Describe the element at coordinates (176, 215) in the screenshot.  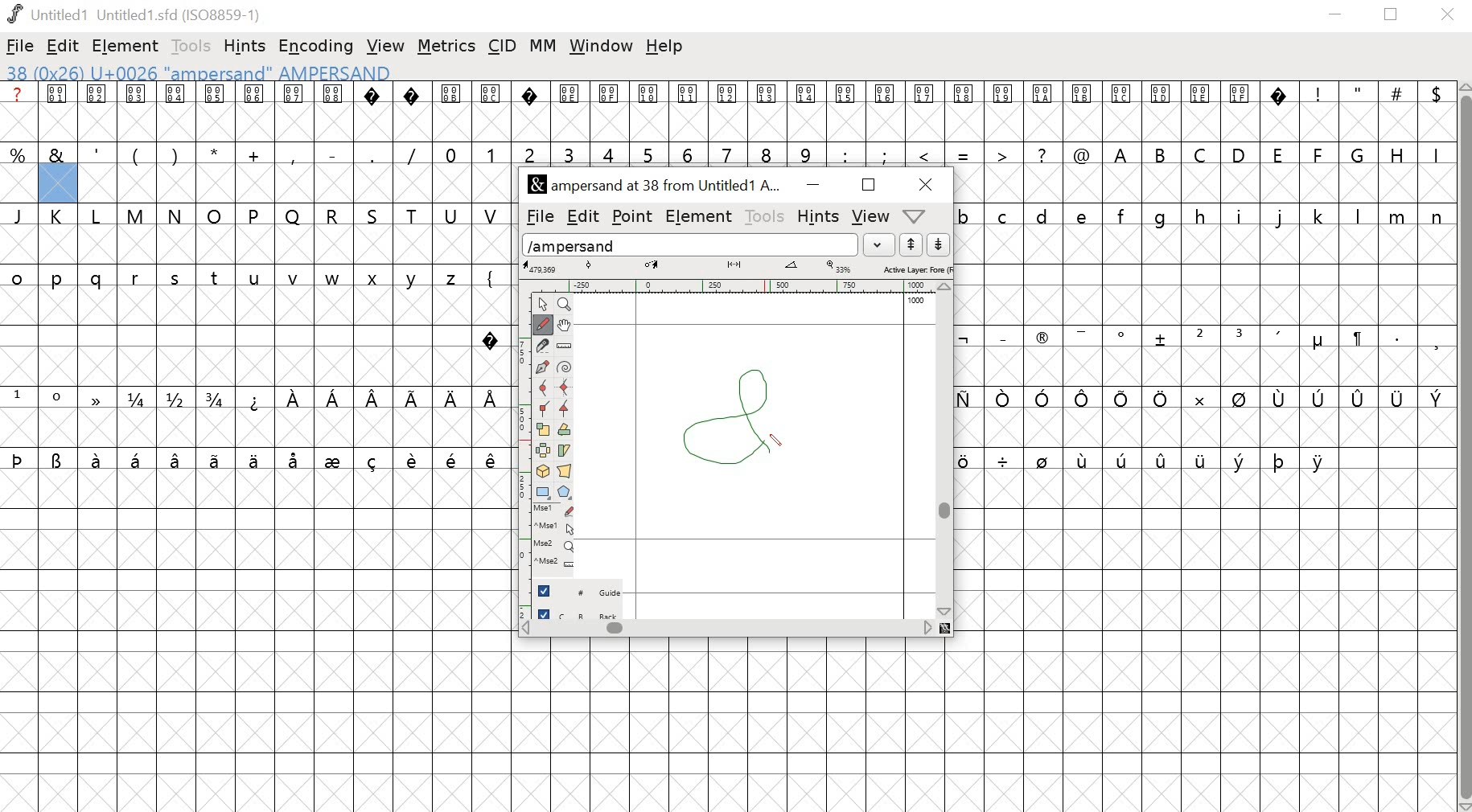
I see `N` at that location.